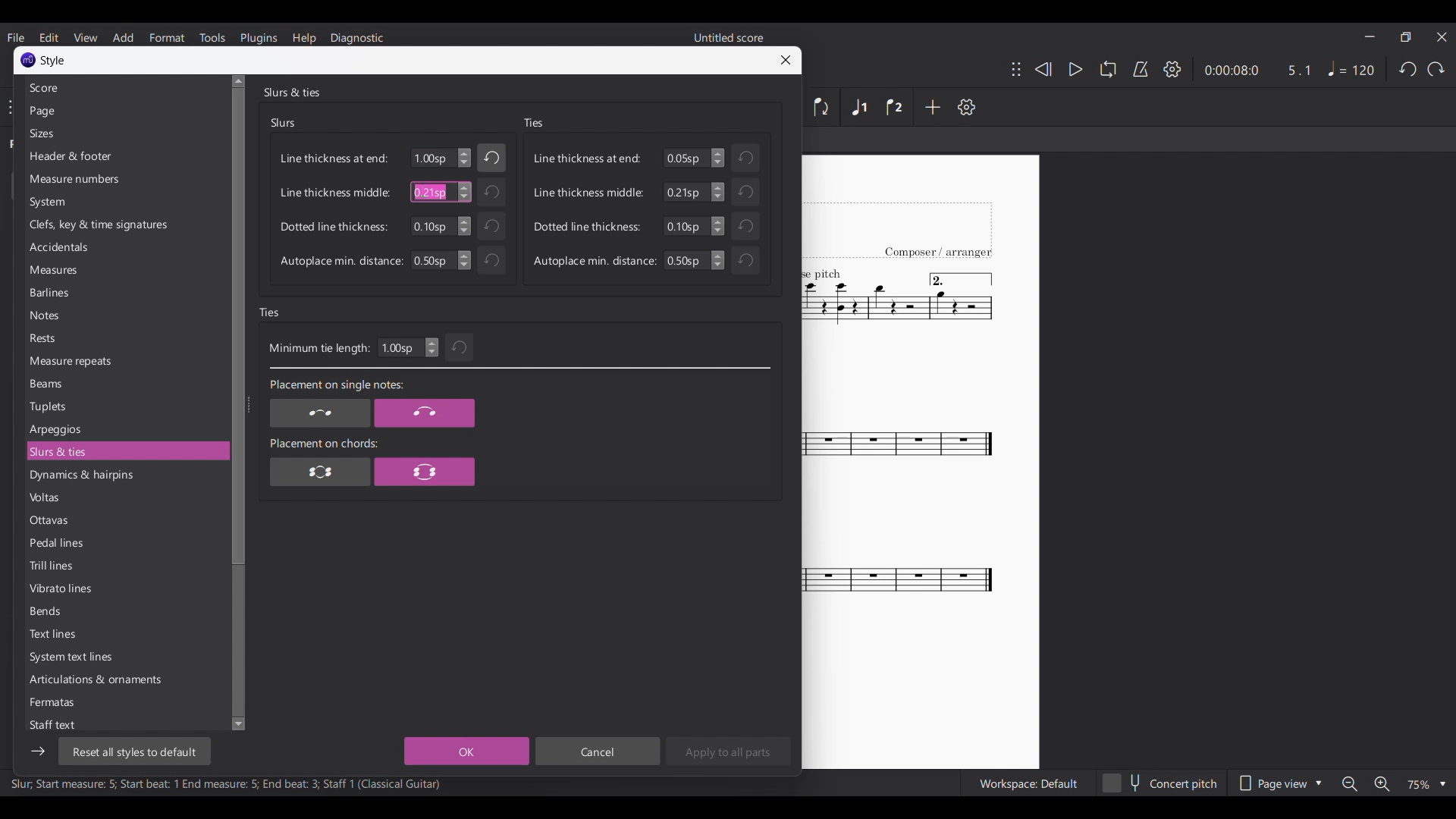  What do you see at coordinates (226, 786) in the screenshot?
I see `Slur, Start measure: 5; Start beat: 1 End measure: 5; End beat: 3; Staff 1 (Classical Guitar)` at bounding box center [226, 786].